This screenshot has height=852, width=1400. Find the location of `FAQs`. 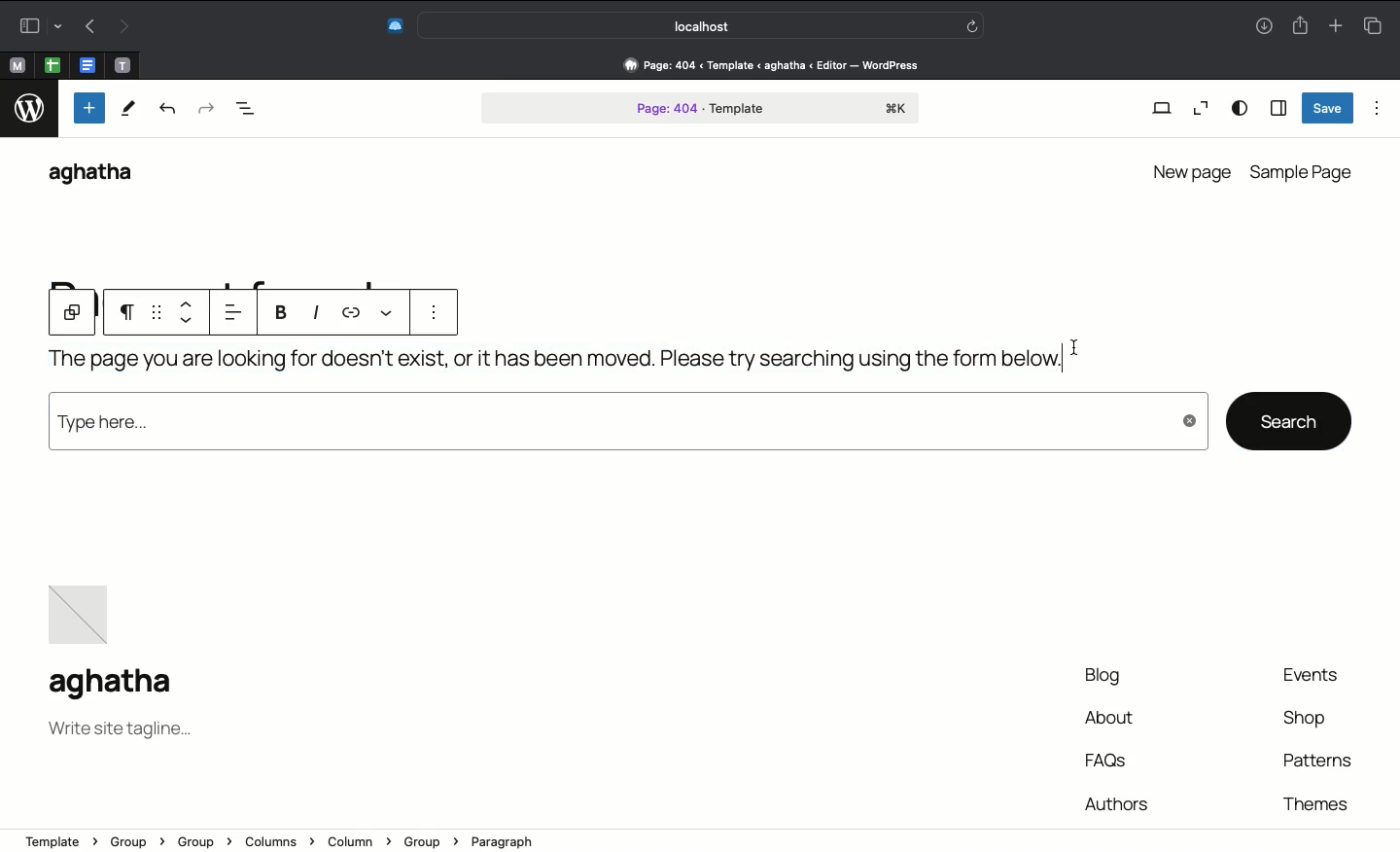

FAQs is located at coordinates (1110, 760).